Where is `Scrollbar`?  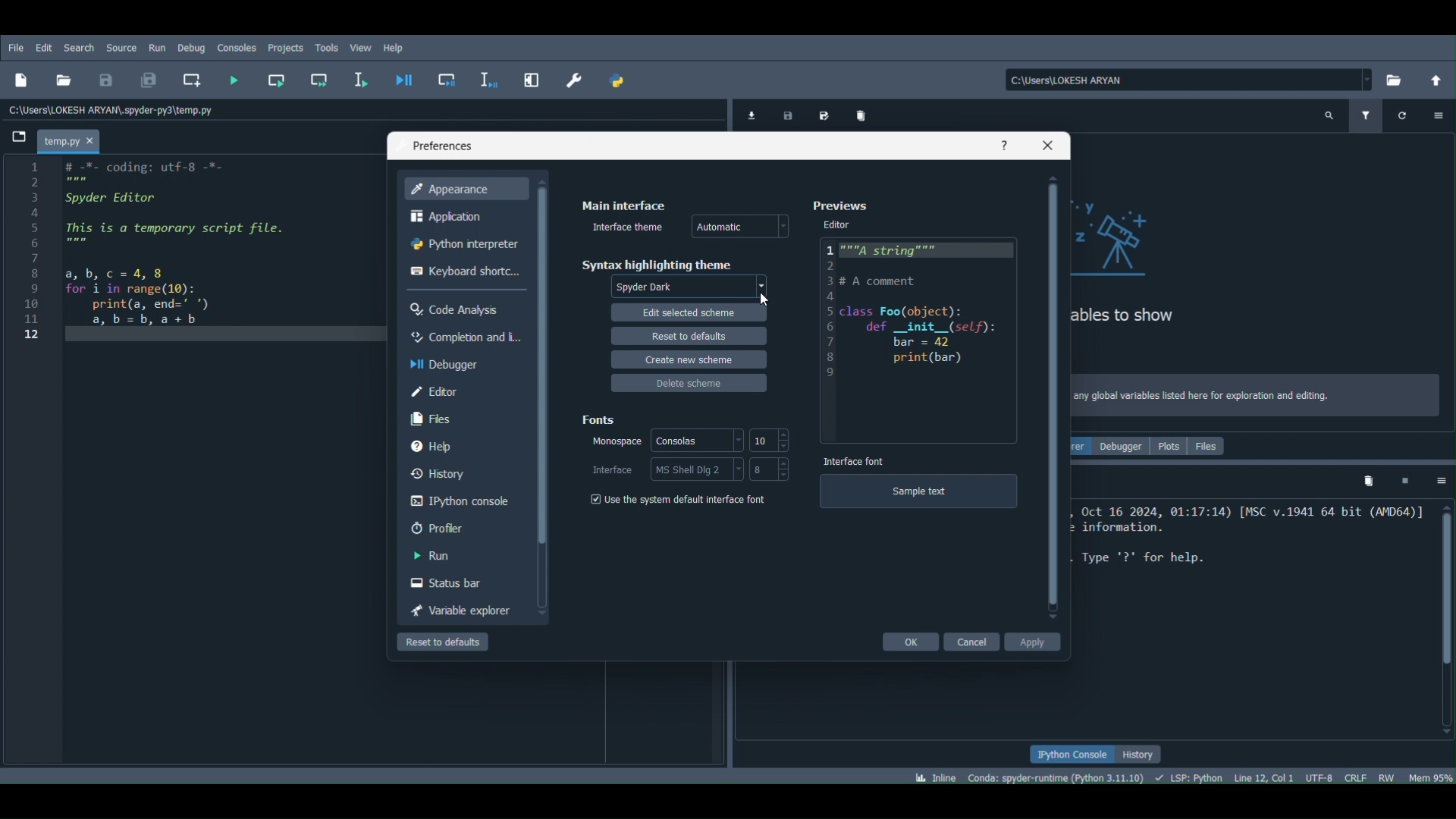
Scrollbar is located at coordinates (541, 396).